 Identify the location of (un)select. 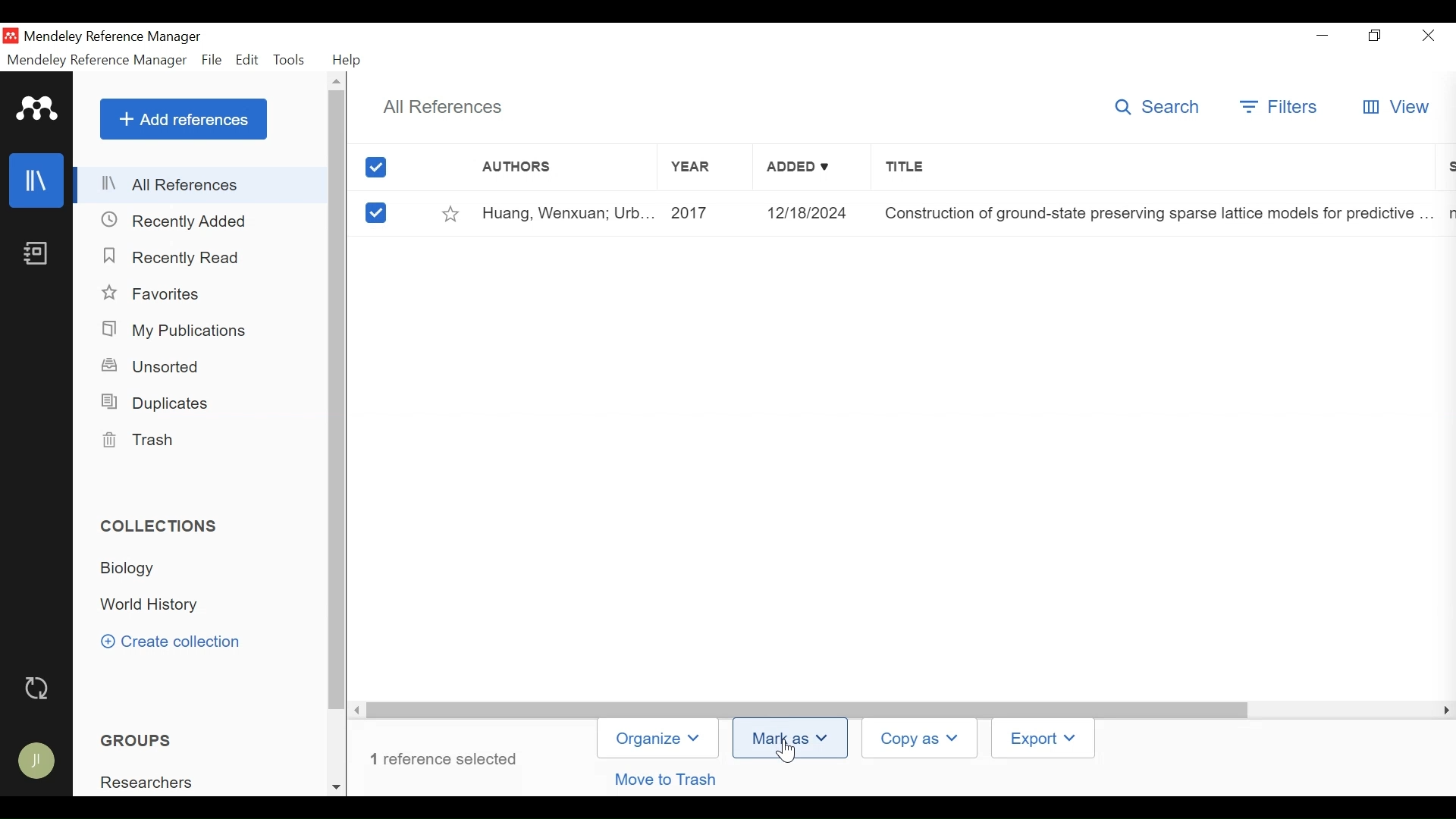
(375, 213).